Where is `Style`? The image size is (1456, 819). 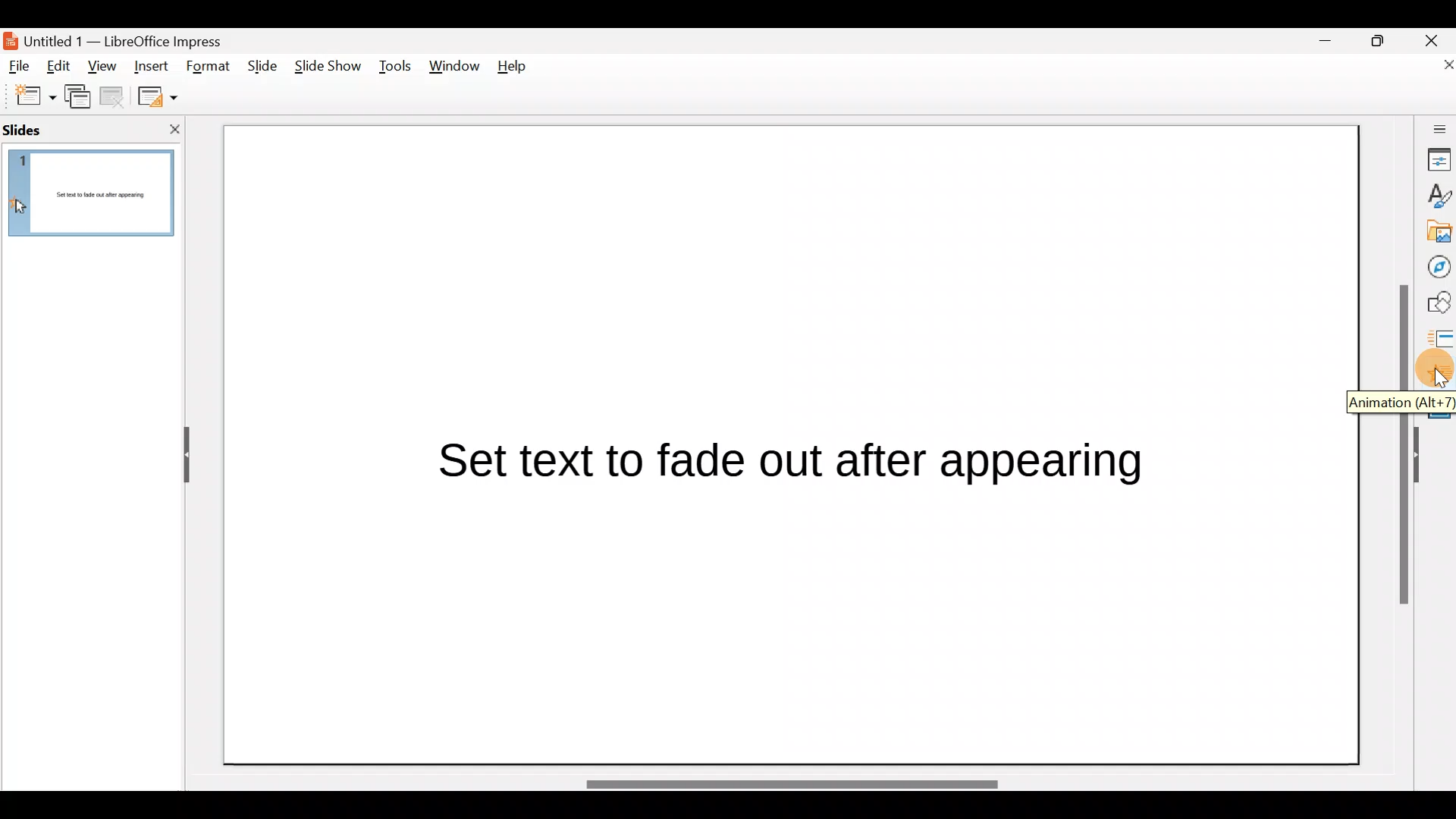
Style is located at coordinates (1438, 195).